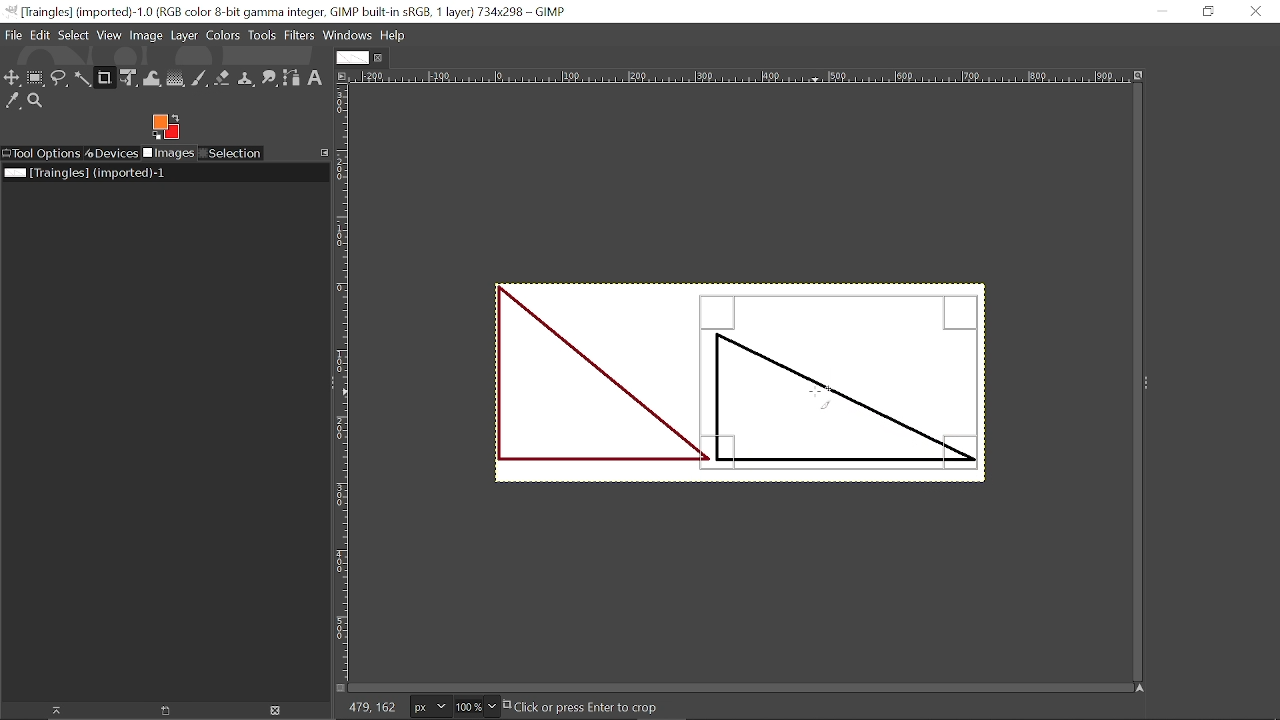  What do you see at coordinates (392, 35) in the screenshot?
I see `Help` at bounding box center [392, 35].